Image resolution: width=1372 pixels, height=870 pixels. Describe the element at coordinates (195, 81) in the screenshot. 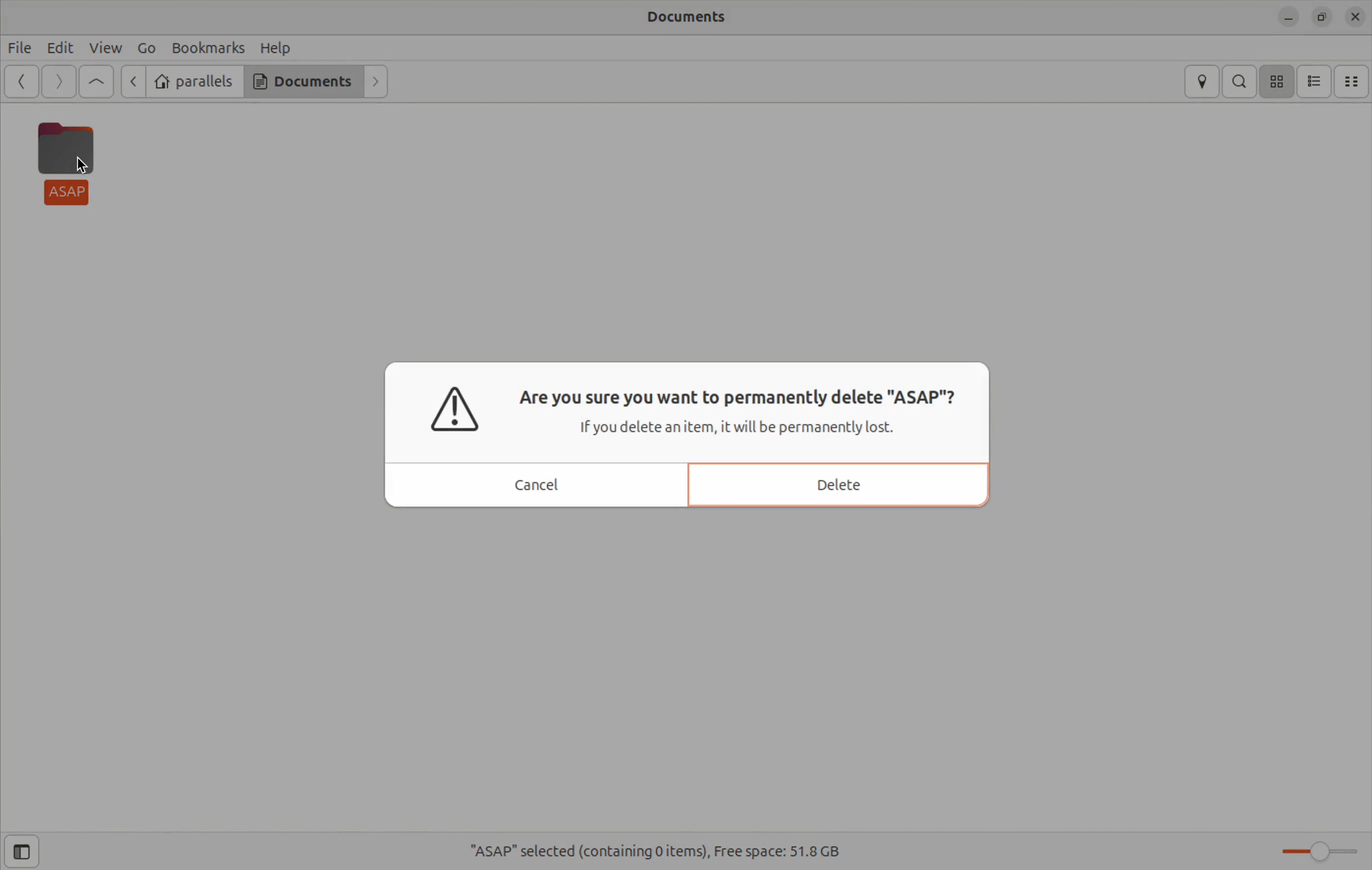

I see `parallels` at that location.